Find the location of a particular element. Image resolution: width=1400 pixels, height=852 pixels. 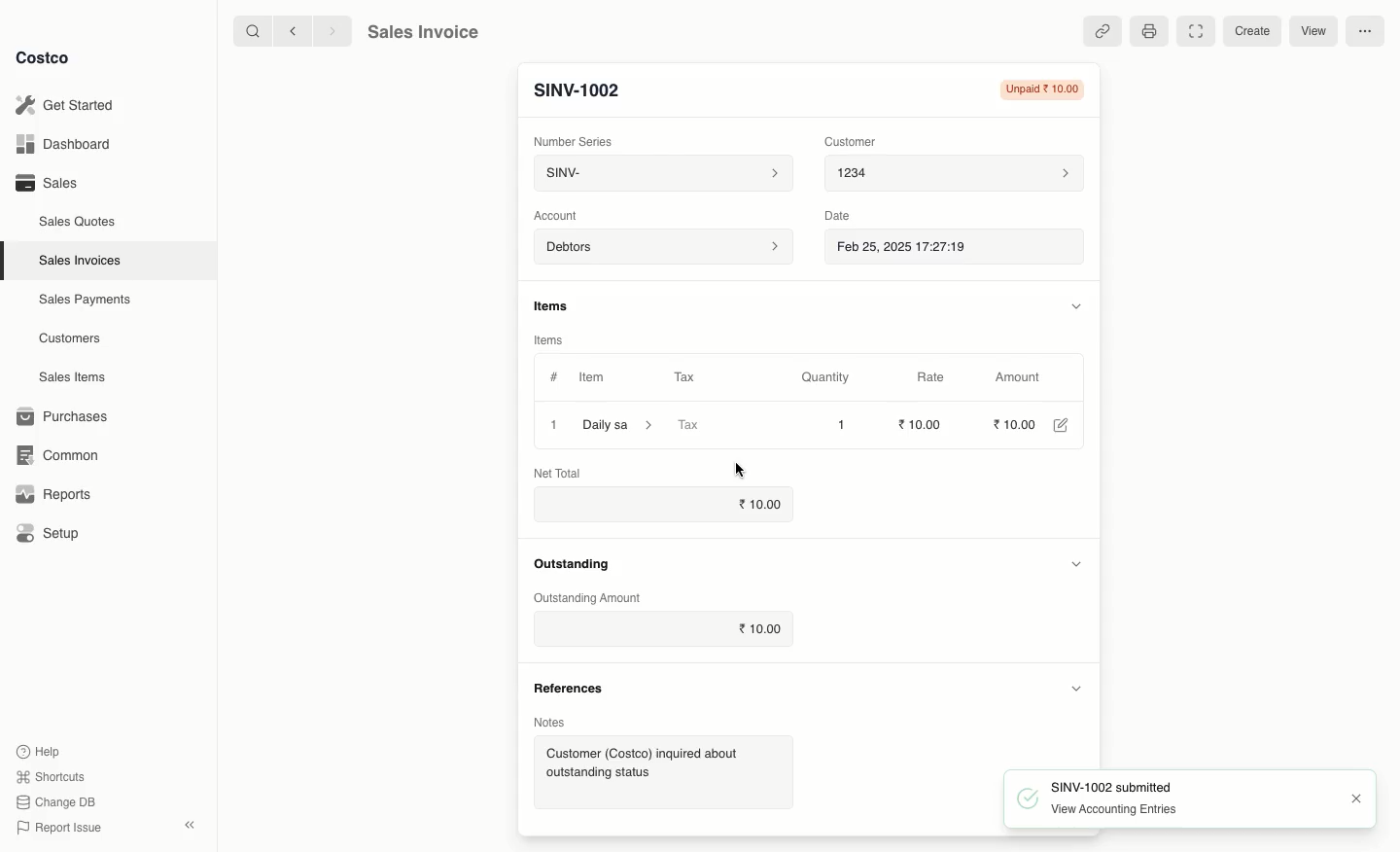

Date is located at coordinates (842, 218).